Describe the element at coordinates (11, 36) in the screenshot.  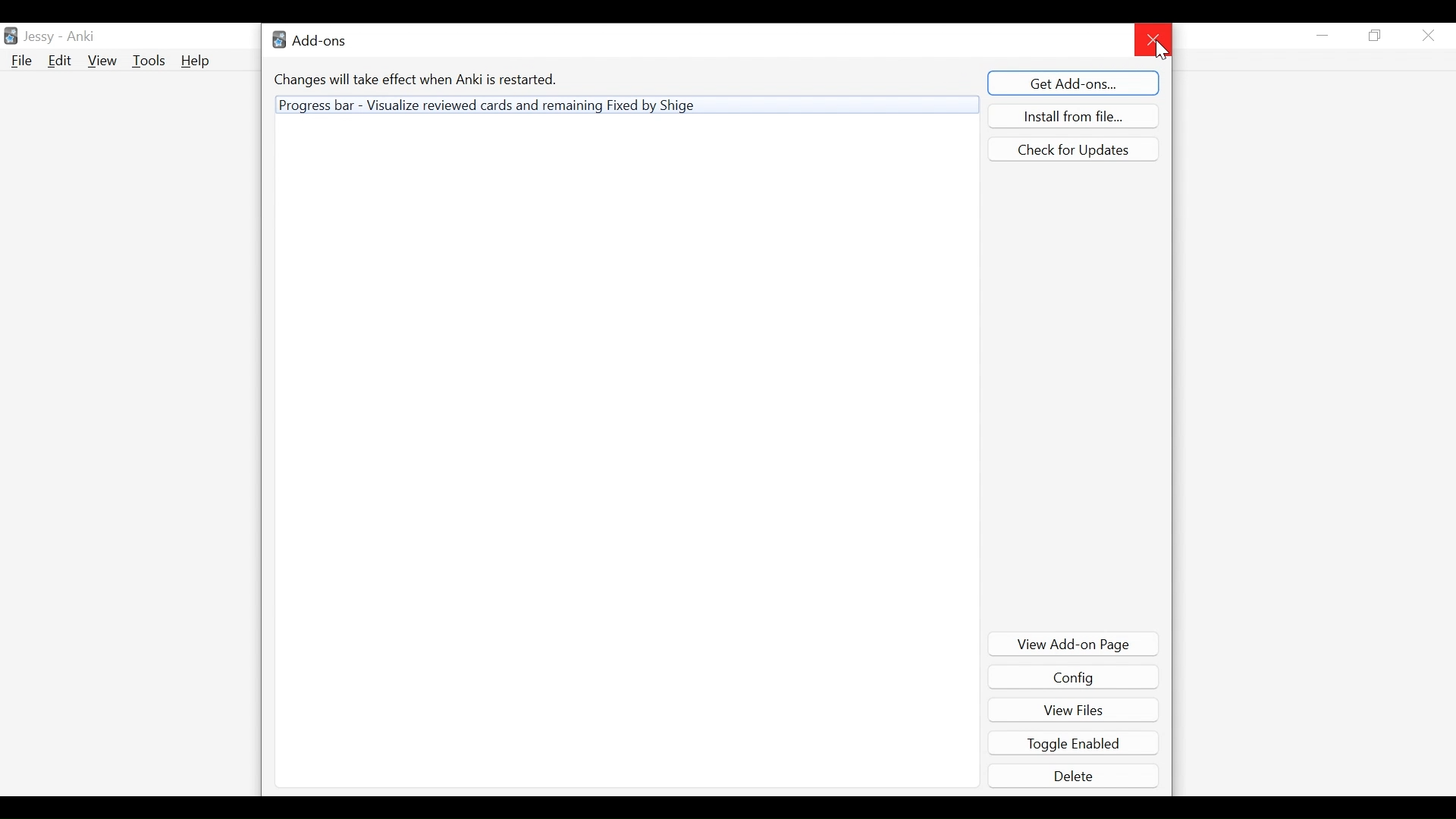
I see `Anki Desktop icon` at that location.